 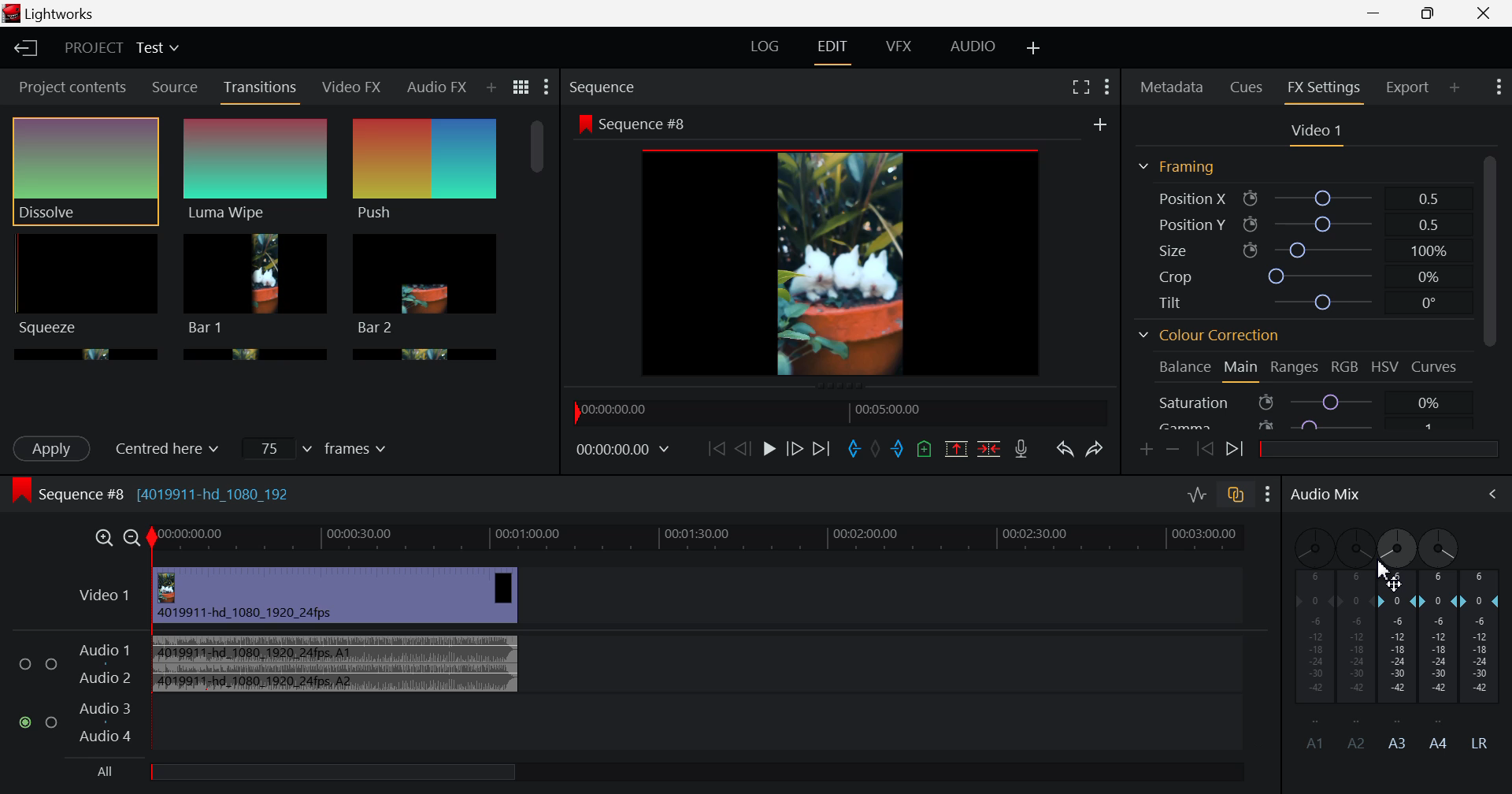 What do you see at coordinates (715, 449) in the screenshot?
I see `To start` at bounding box center [715, 449].